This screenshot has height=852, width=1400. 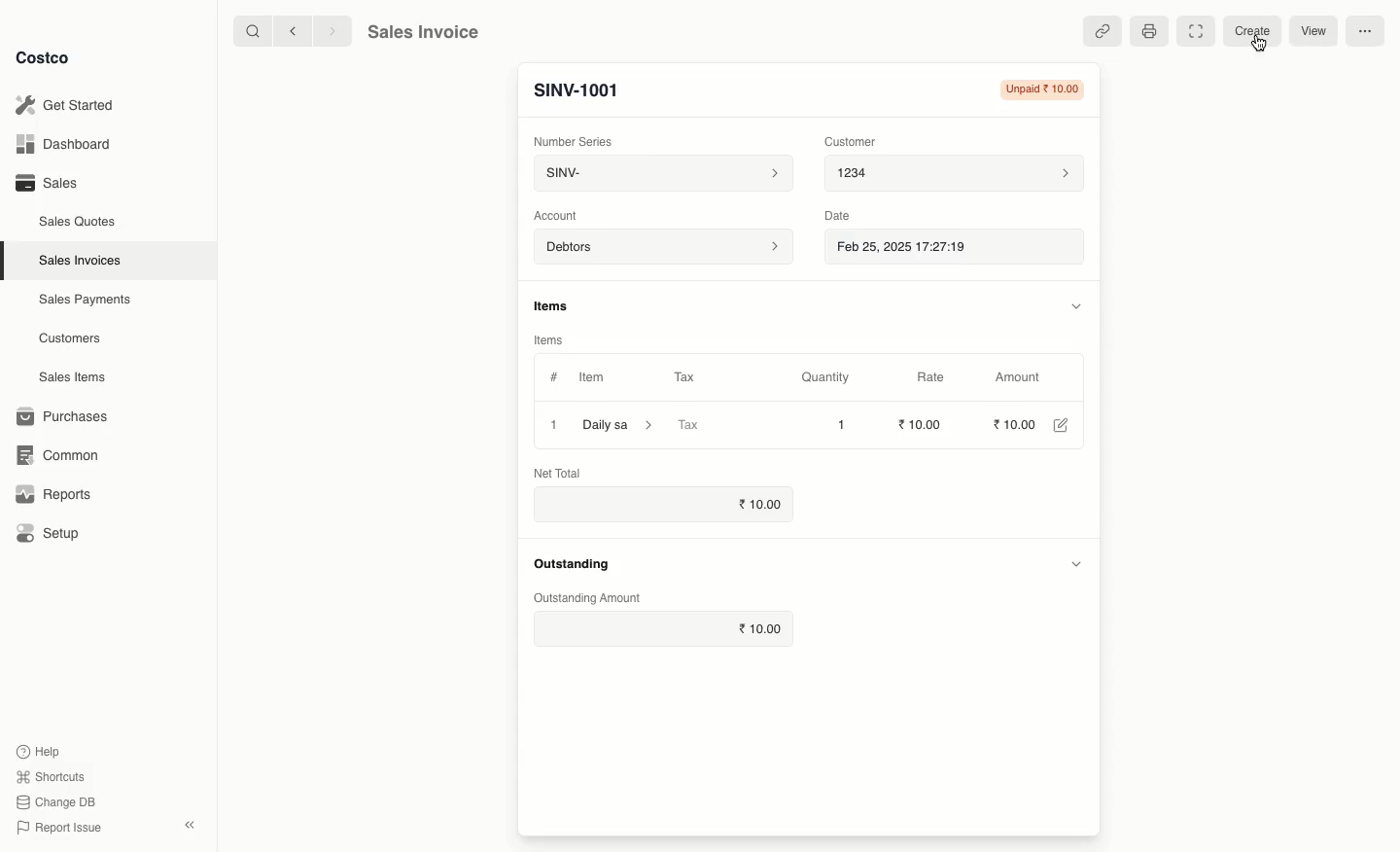 I want to click on Linked references, so click(x=1102, y=30).